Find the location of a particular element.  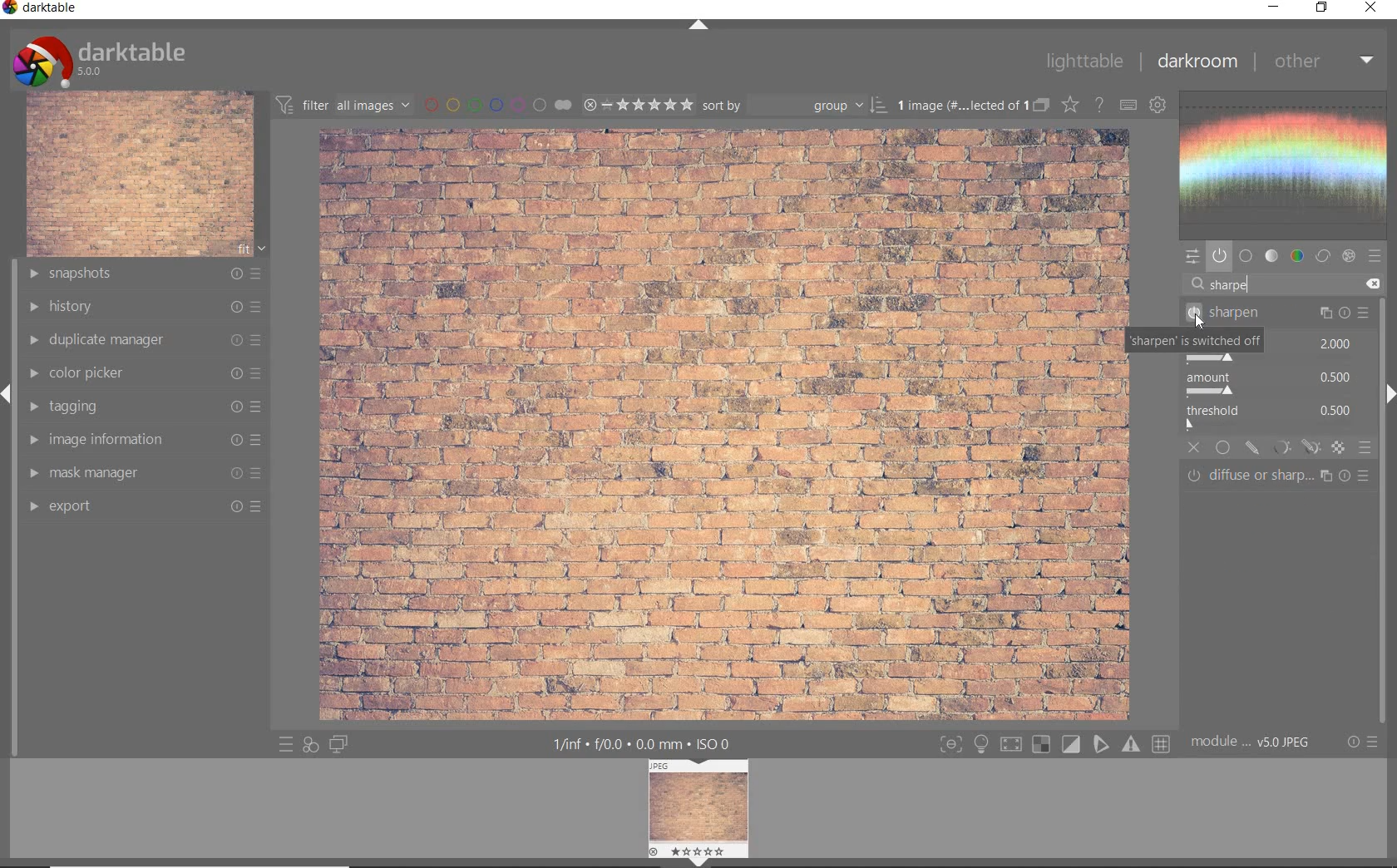

sort by group is located at coordinates (794, 106).